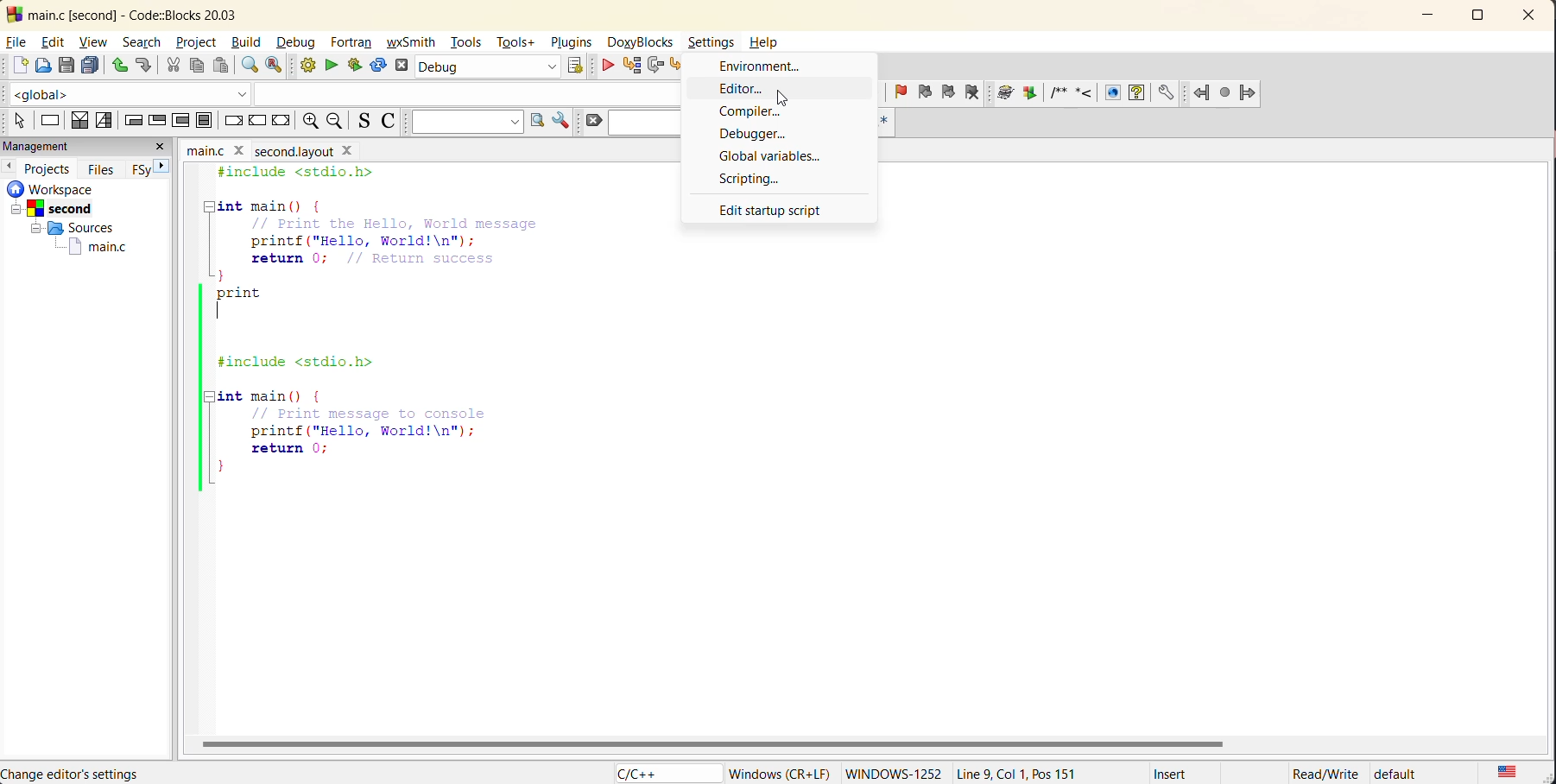 The height and width of the screenshot is (784, 1556). What do you see at coordinates (517, 41) in the screenshot?
I see `tools+` at bounding box center [517, 41].